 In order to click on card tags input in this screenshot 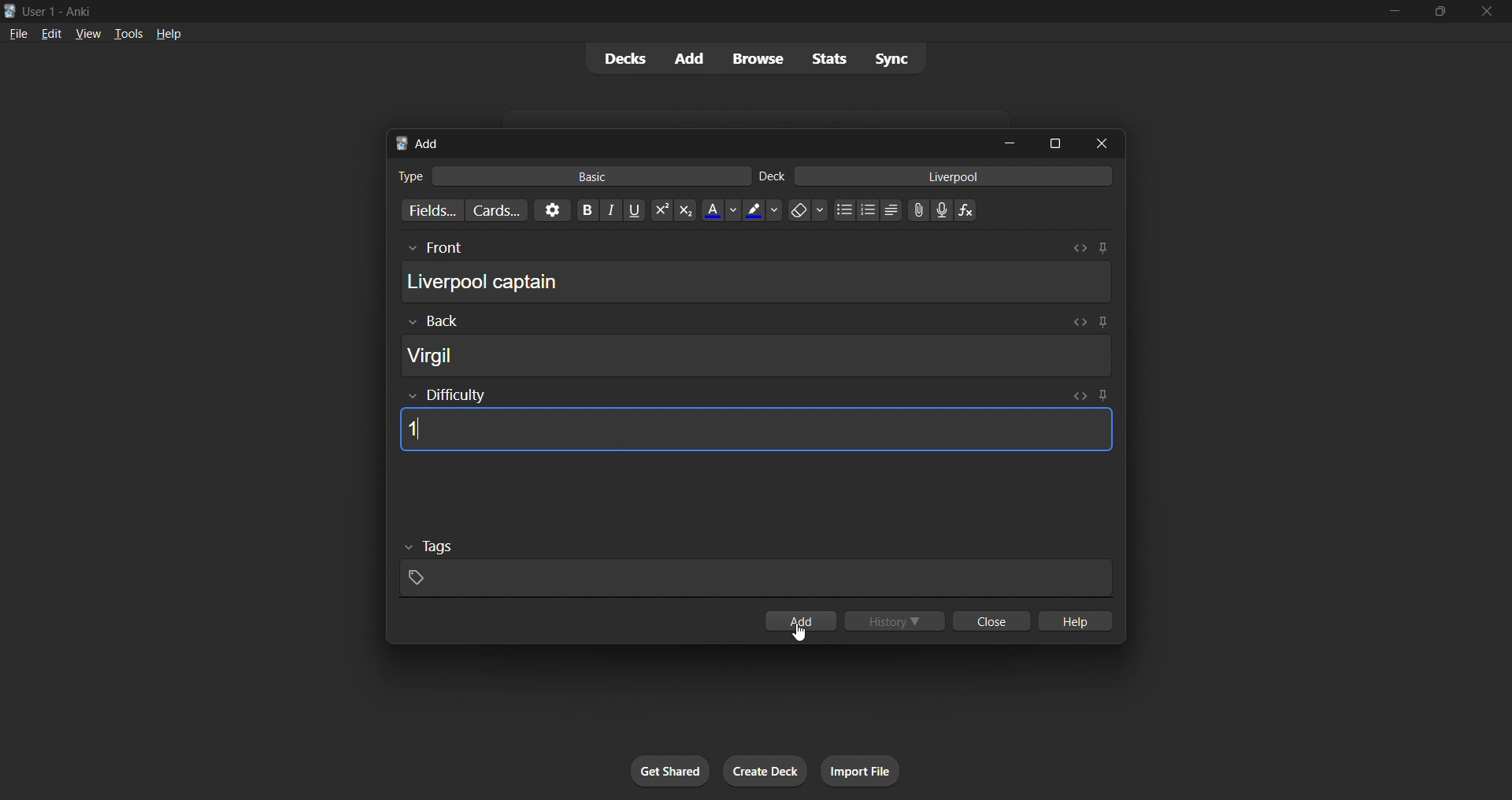, I will do `click(756, 579)`.